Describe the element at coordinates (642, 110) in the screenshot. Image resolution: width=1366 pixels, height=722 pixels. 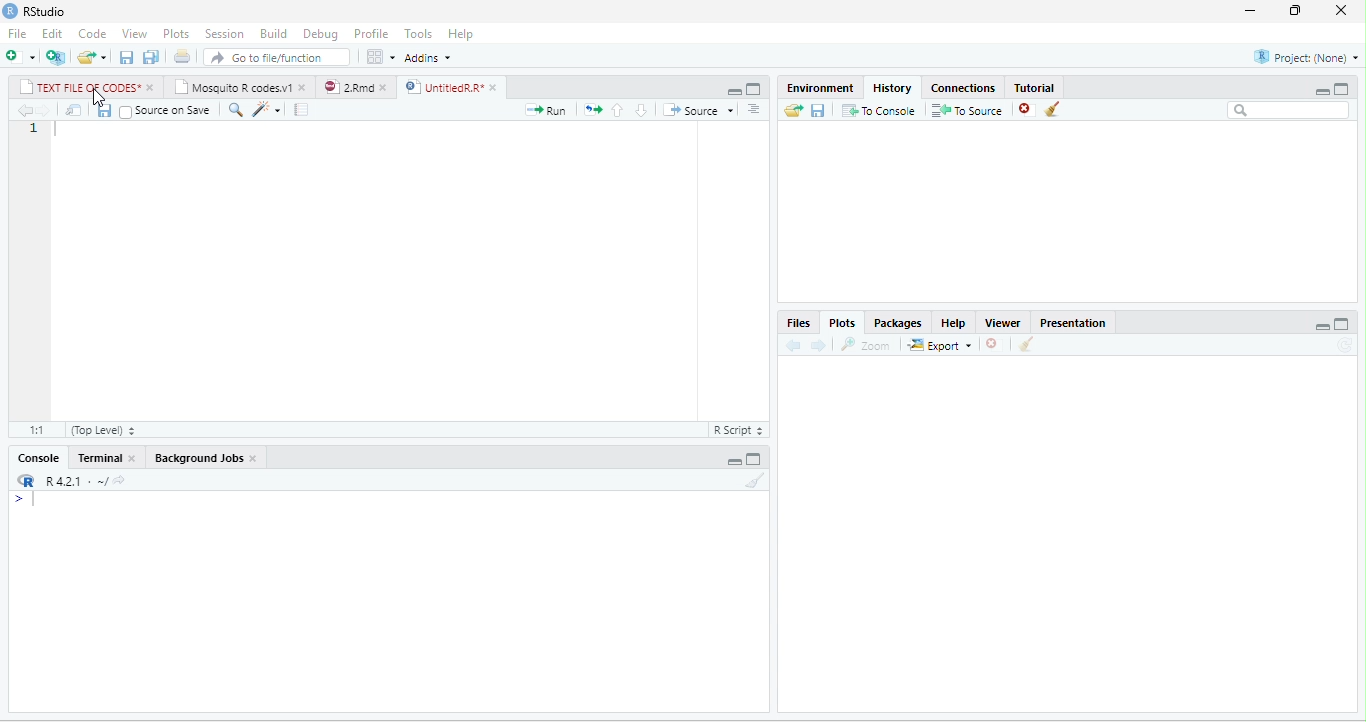
I see `down` at that location.